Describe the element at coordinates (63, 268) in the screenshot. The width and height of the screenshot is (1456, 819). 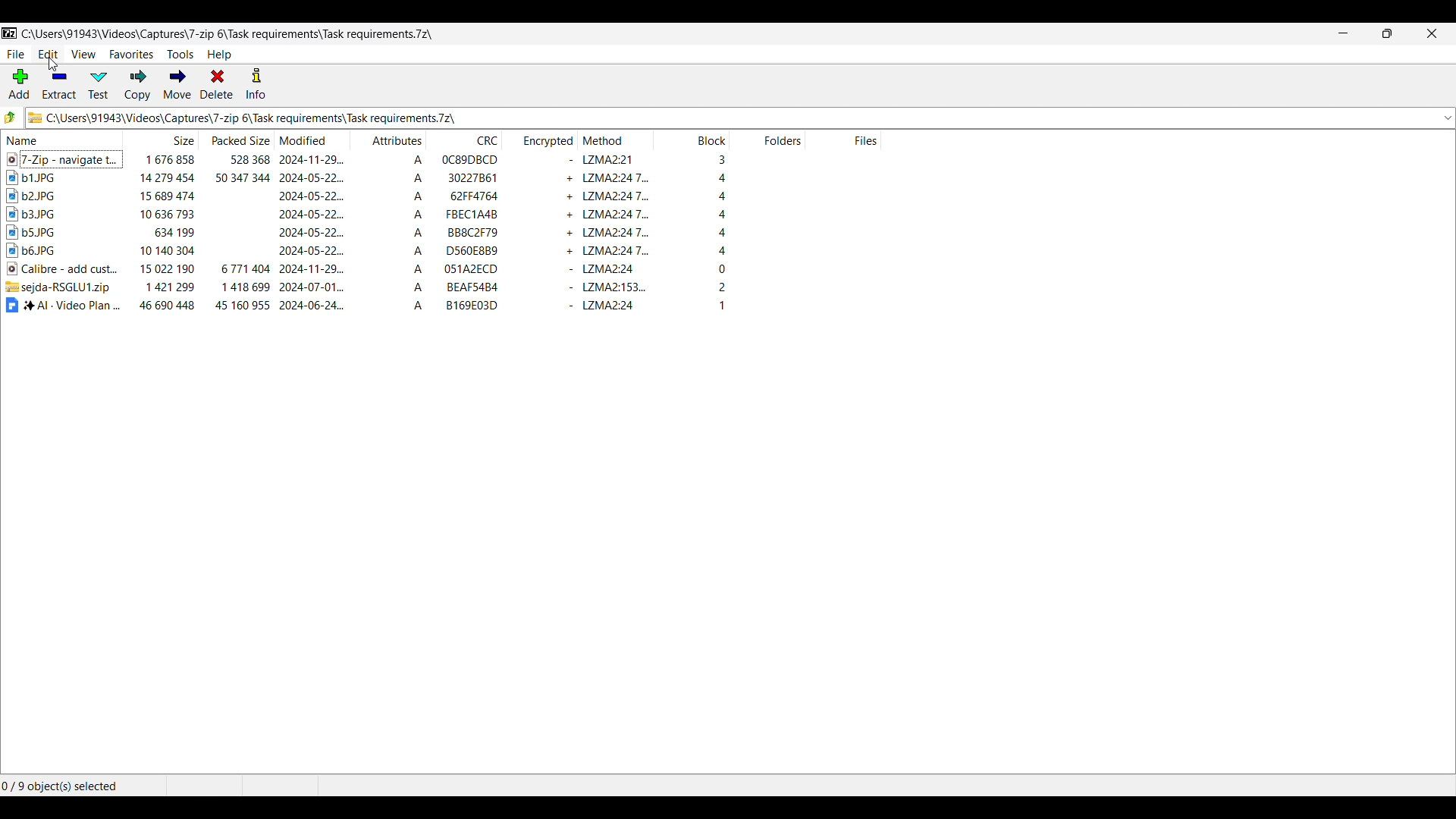
I see `video file` at that location.